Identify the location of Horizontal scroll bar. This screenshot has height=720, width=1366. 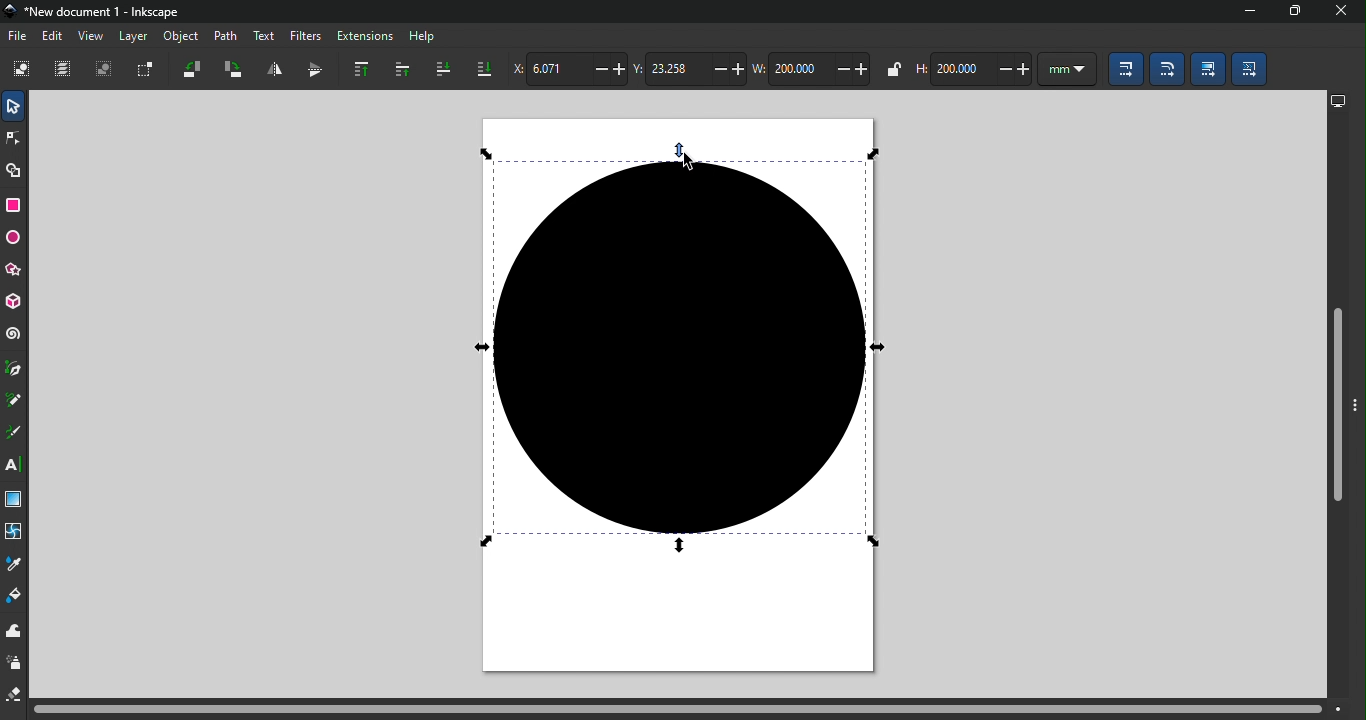
(690, 708).